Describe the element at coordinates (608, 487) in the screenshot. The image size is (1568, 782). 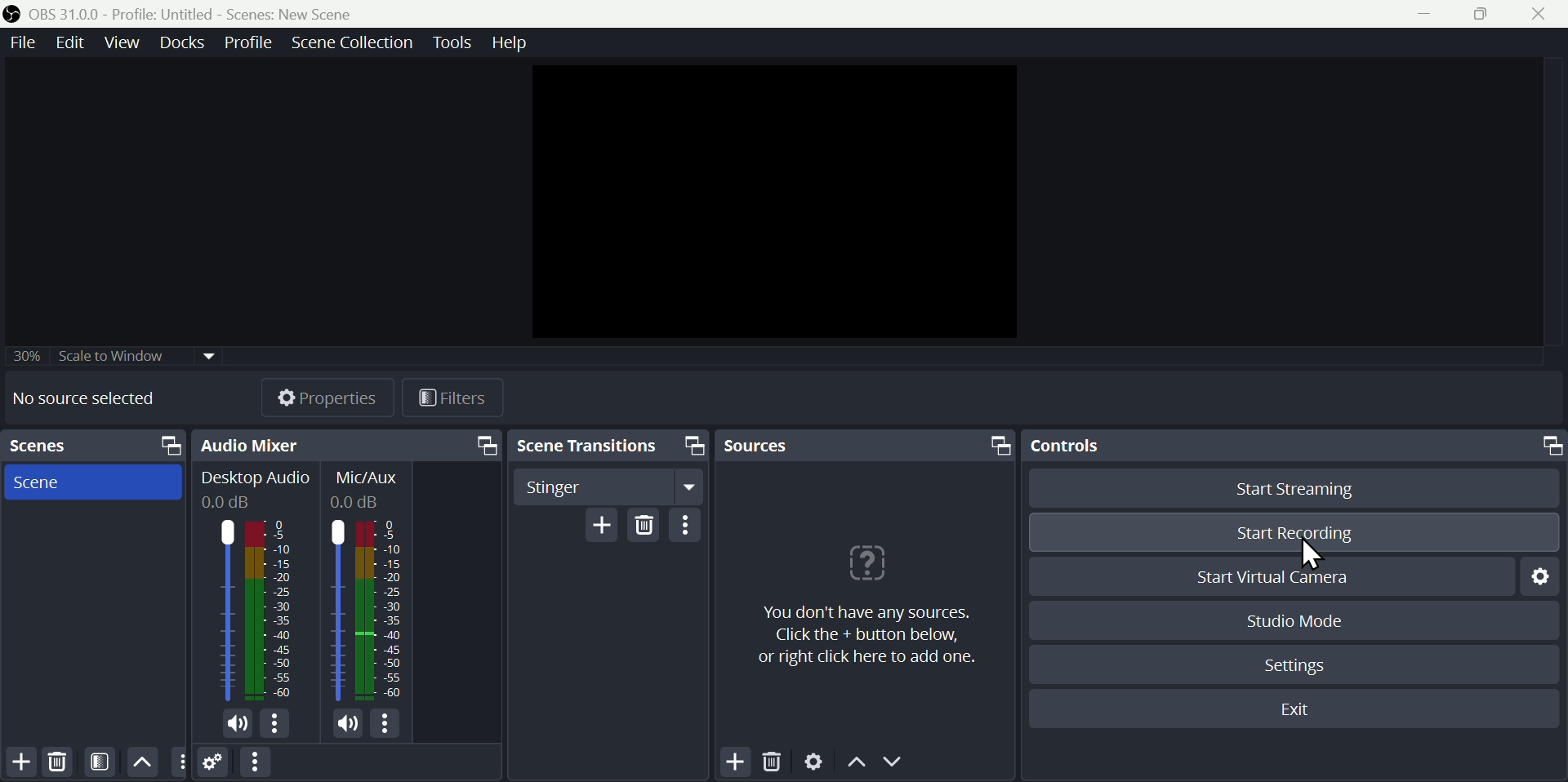
I see `Stinger` at that location.